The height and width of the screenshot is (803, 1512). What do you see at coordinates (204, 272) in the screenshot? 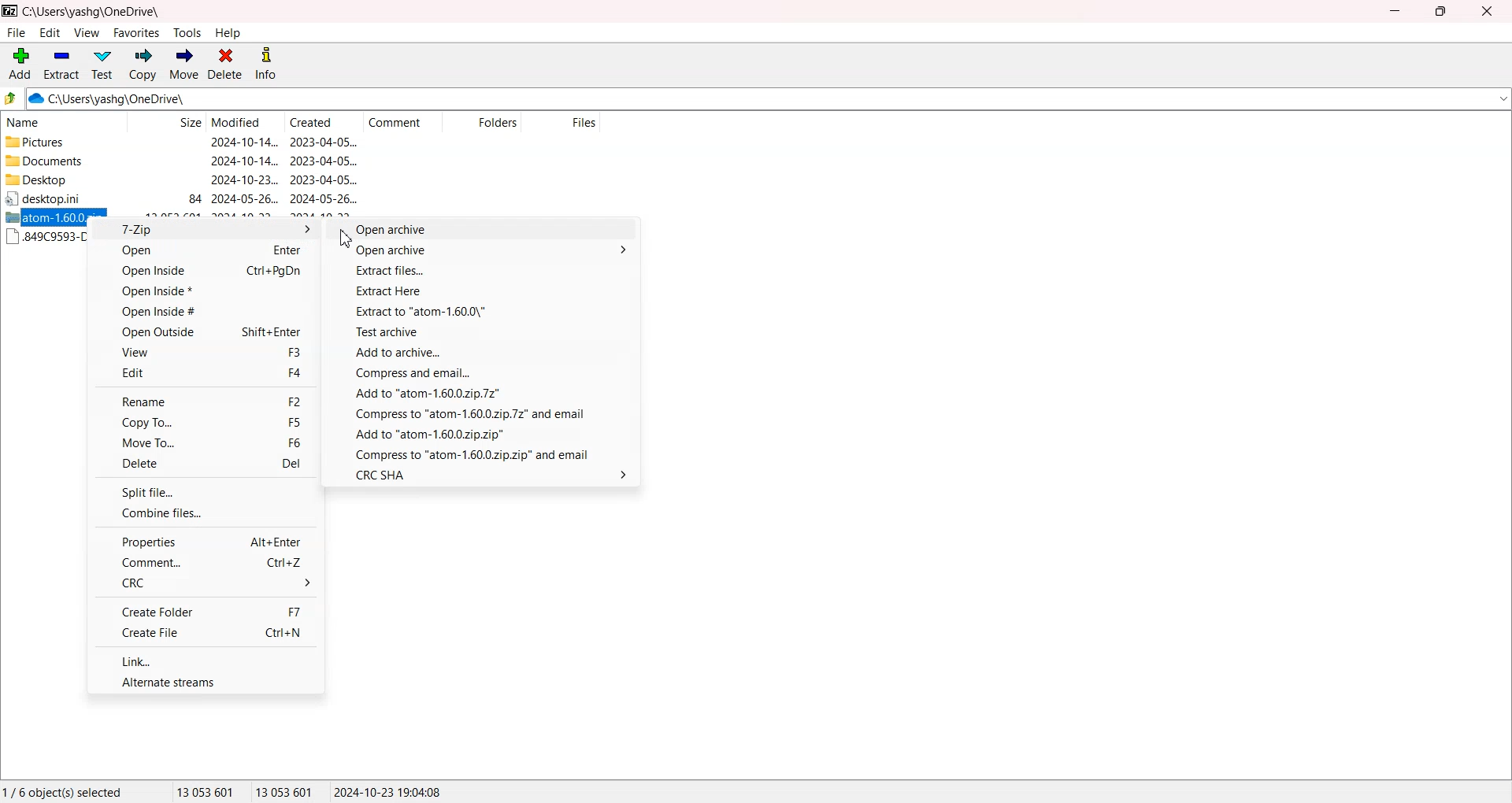
I see `Open Inside` at bounding box center [204, 272].